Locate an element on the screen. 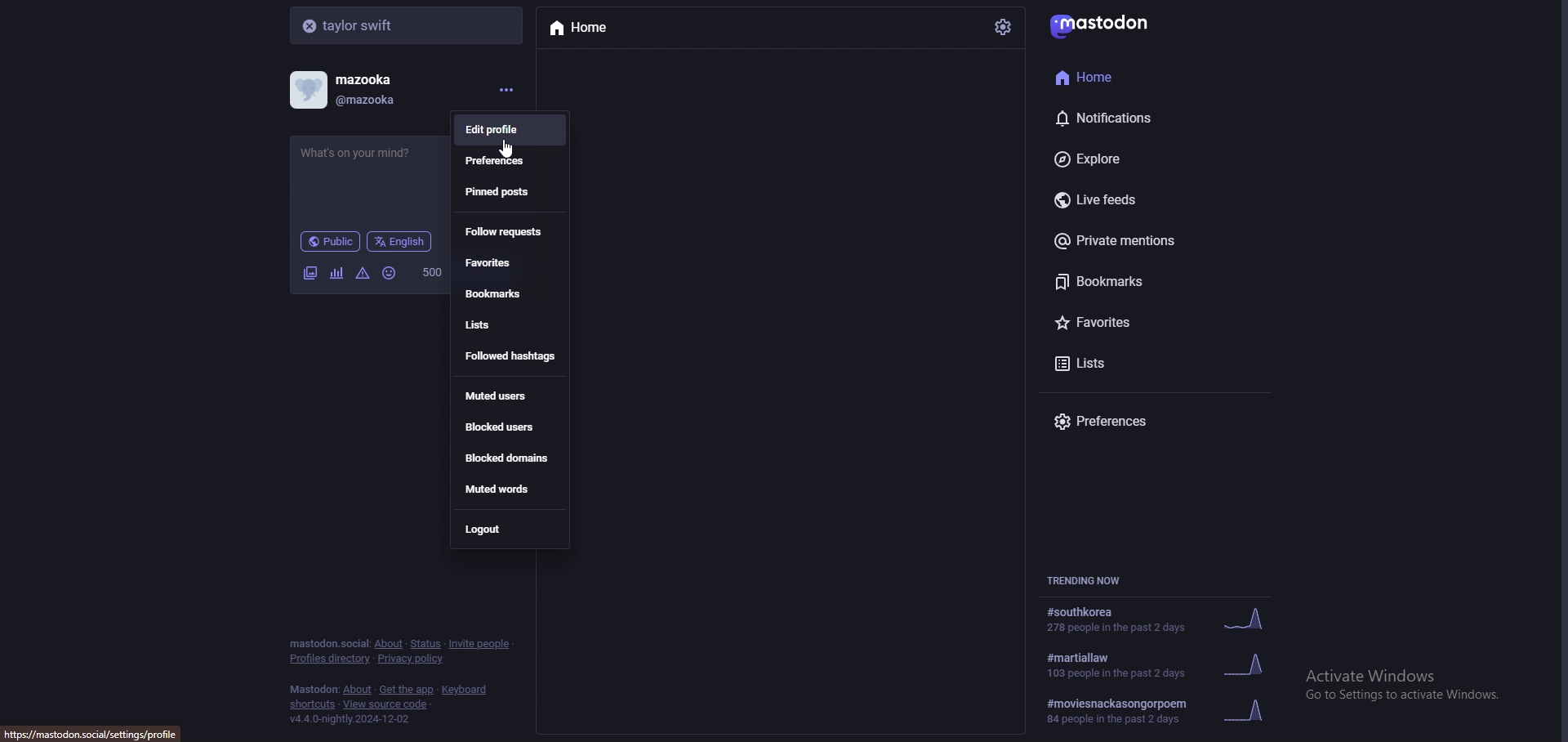 This screenshot has height=742, width=1568. muted words is located at coordinates (508, 489).